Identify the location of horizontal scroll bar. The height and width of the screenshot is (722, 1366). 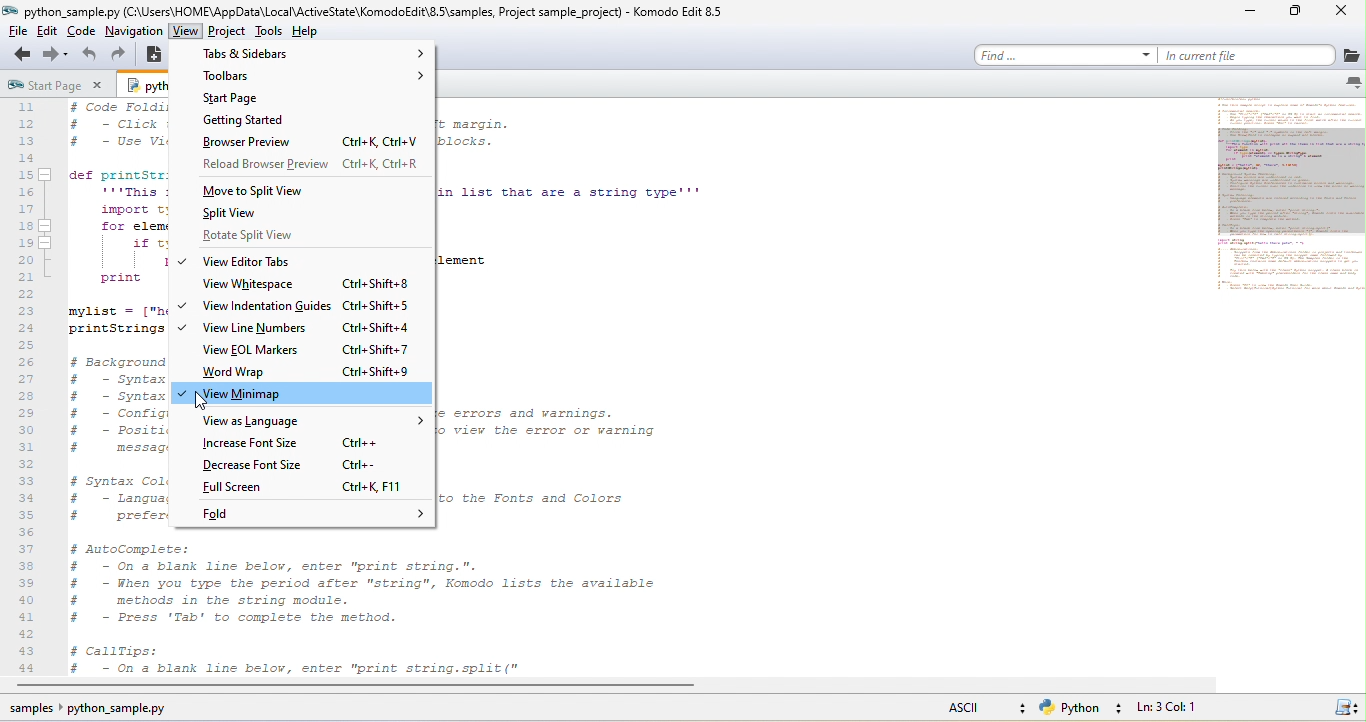
(354, 687).